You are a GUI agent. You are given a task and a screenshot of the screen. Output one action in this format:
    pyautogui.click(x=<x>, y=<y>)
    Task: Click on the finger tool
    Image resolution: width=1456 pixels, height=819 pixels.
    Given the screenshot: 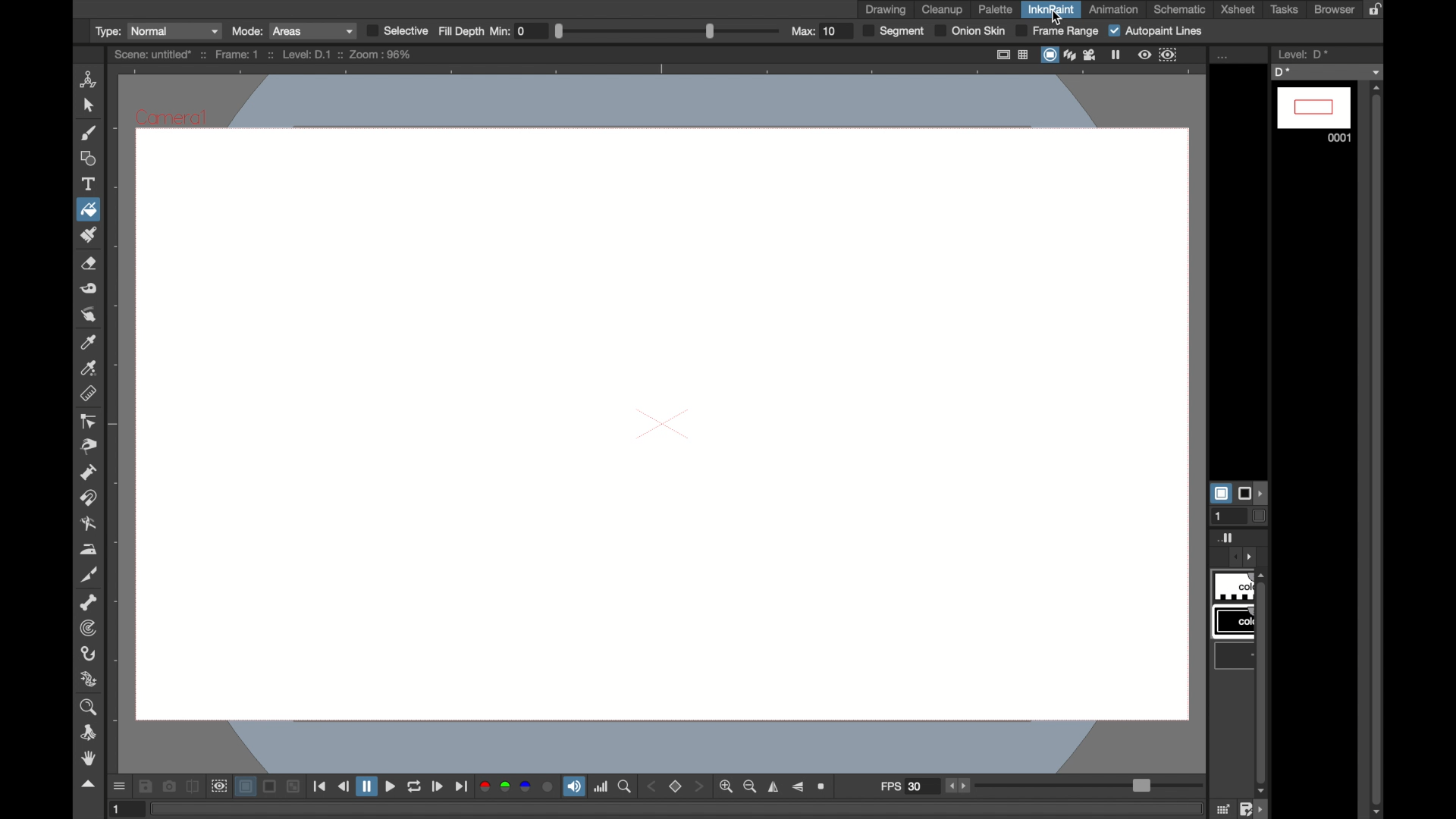 What is the action you would take?
    pyautogui.click(x=87, y=314)
    